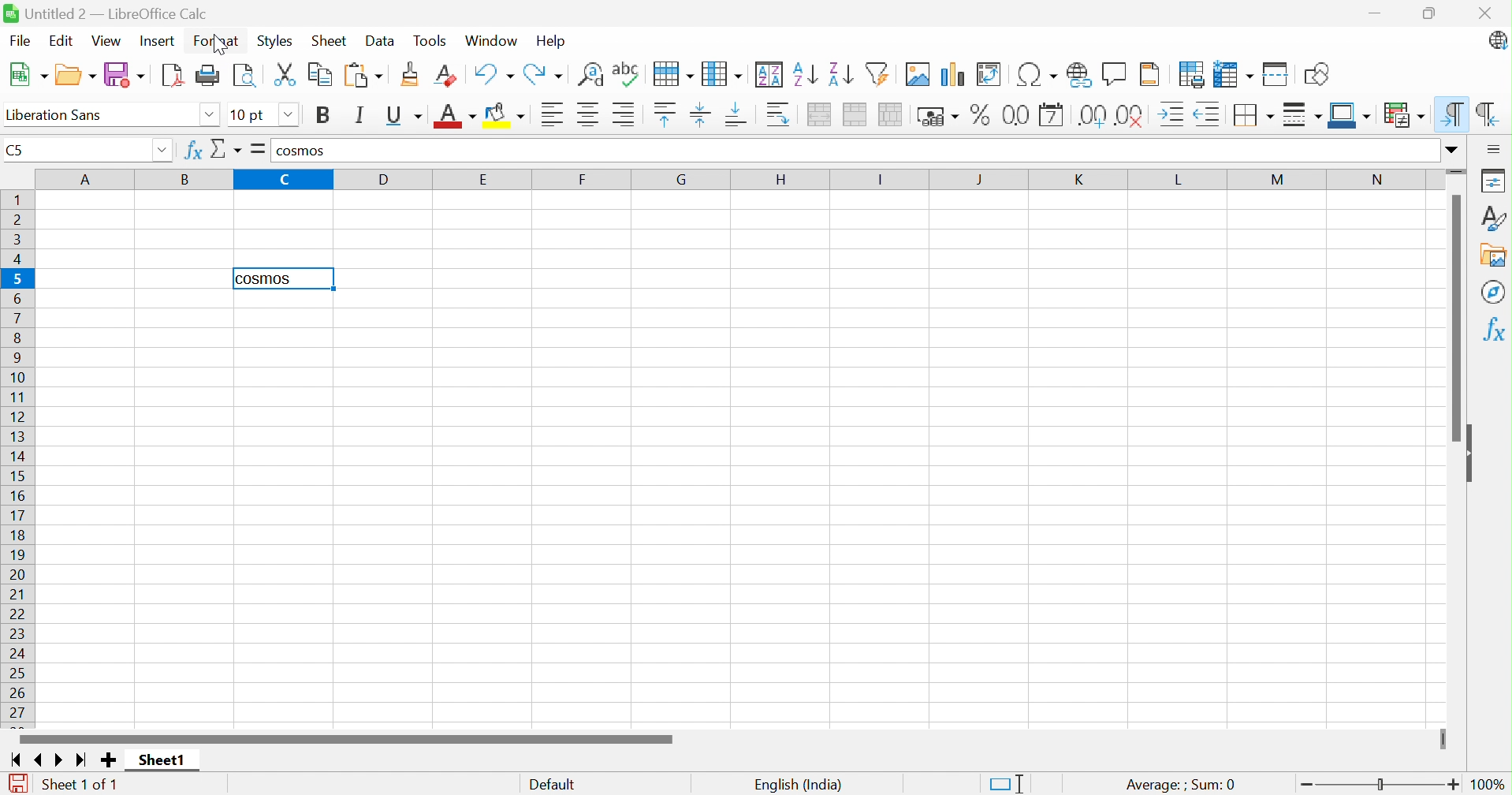  What do you see at coordinates (344, 739) in the screenshot?
I see `Scroll bar` at bounding box center [344, 739].